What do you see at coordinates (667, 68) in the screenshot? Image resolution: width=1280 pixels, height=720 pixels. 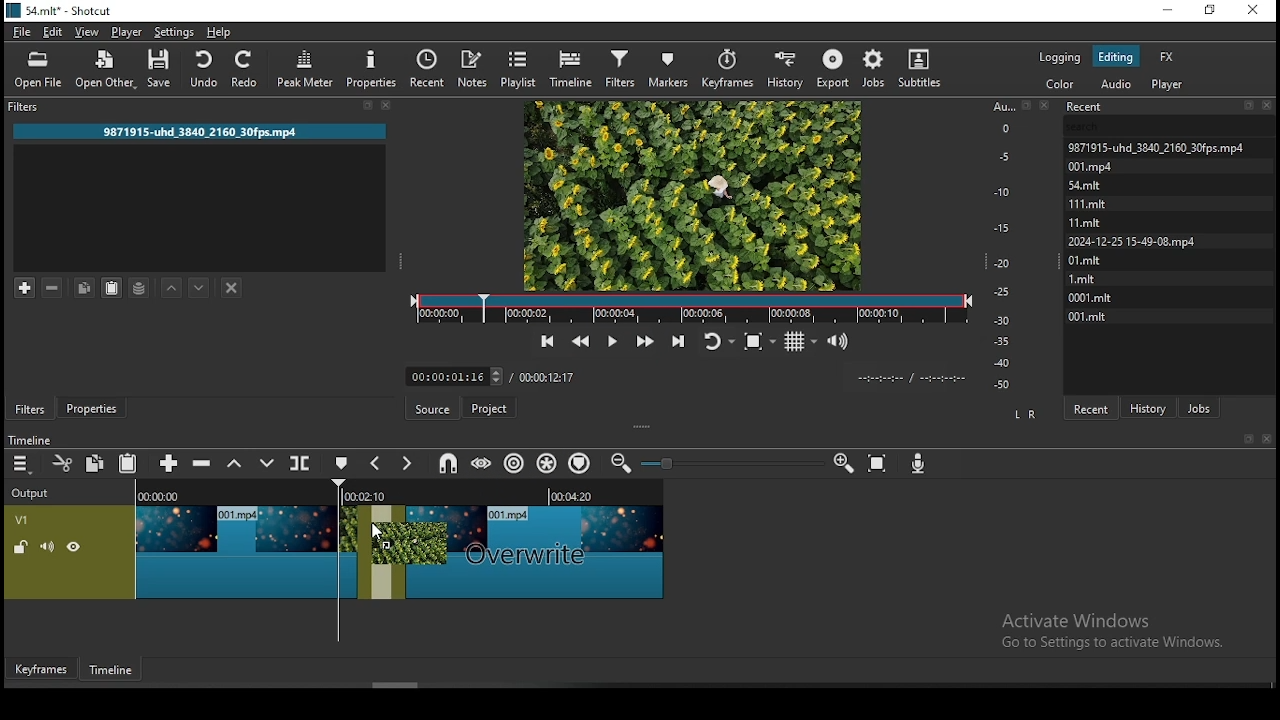 I see `markers` at bounding box center [667, 68].